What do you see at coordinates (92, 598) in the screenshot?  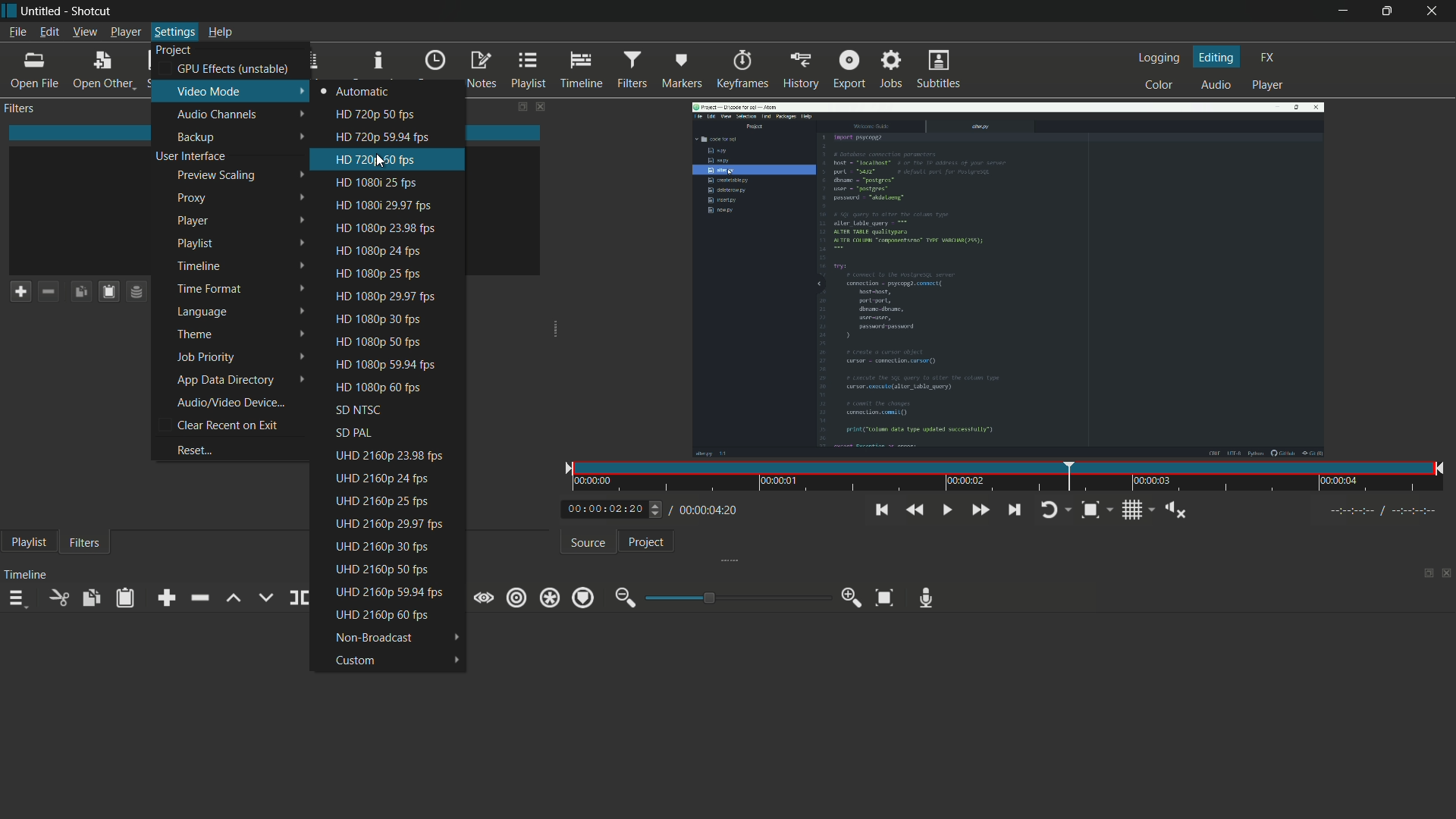 I see `copy` at bounding box center [92, 598].